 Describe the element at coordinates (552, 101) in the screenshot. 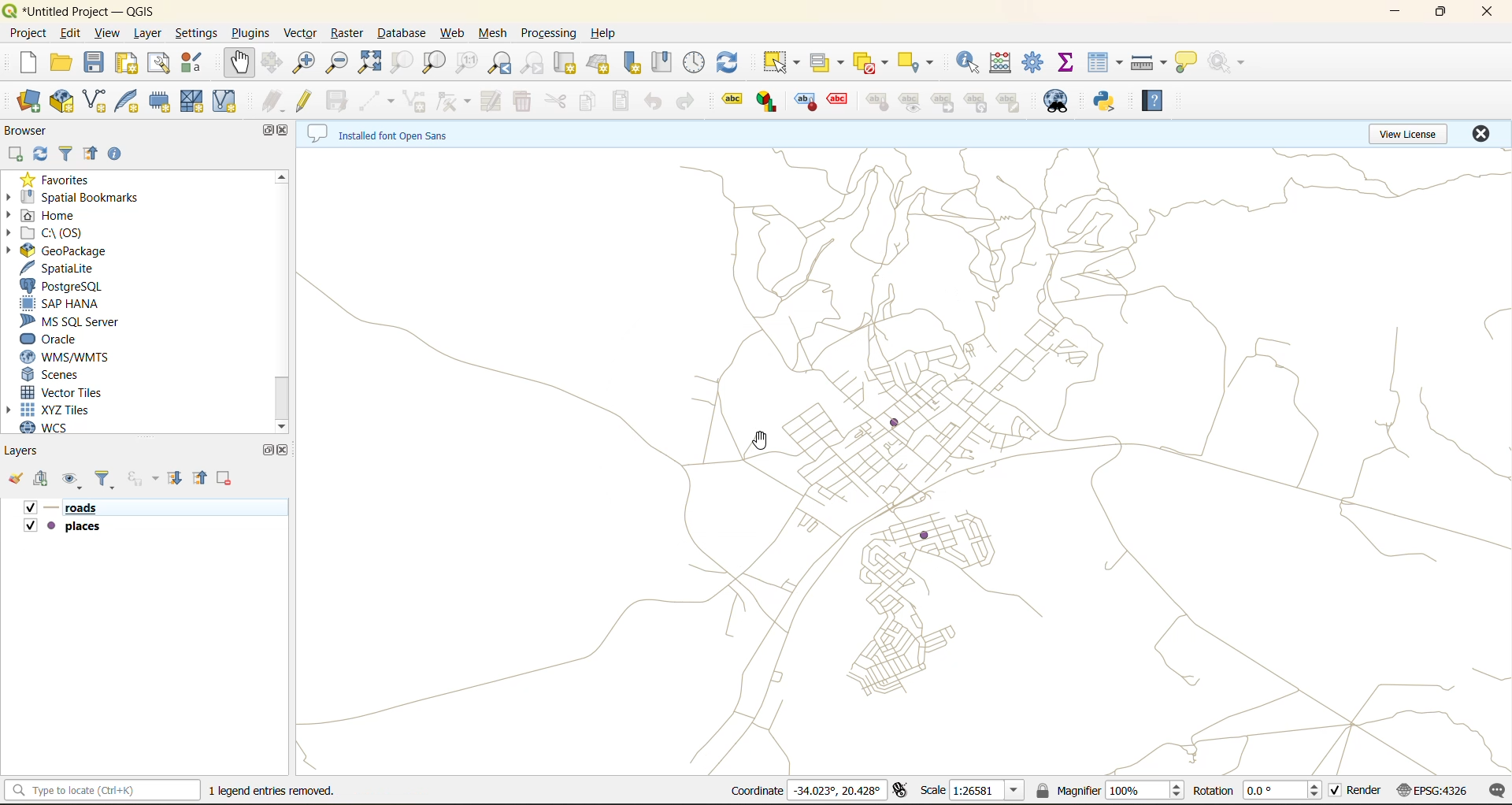

I see `cut` at that location.